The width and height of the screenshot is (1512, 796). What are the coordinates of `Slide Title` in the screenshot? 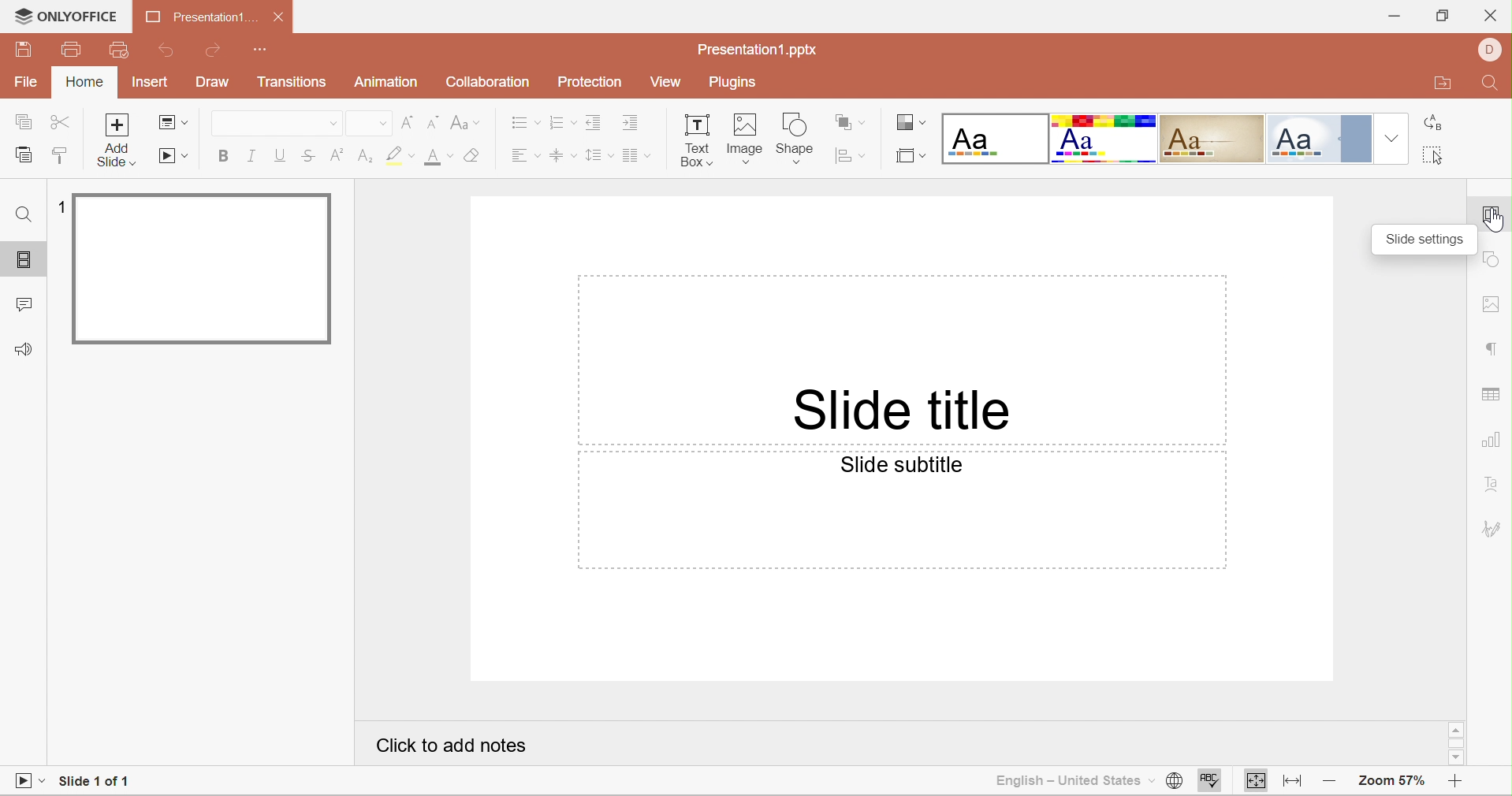 It's located at (898, 413).